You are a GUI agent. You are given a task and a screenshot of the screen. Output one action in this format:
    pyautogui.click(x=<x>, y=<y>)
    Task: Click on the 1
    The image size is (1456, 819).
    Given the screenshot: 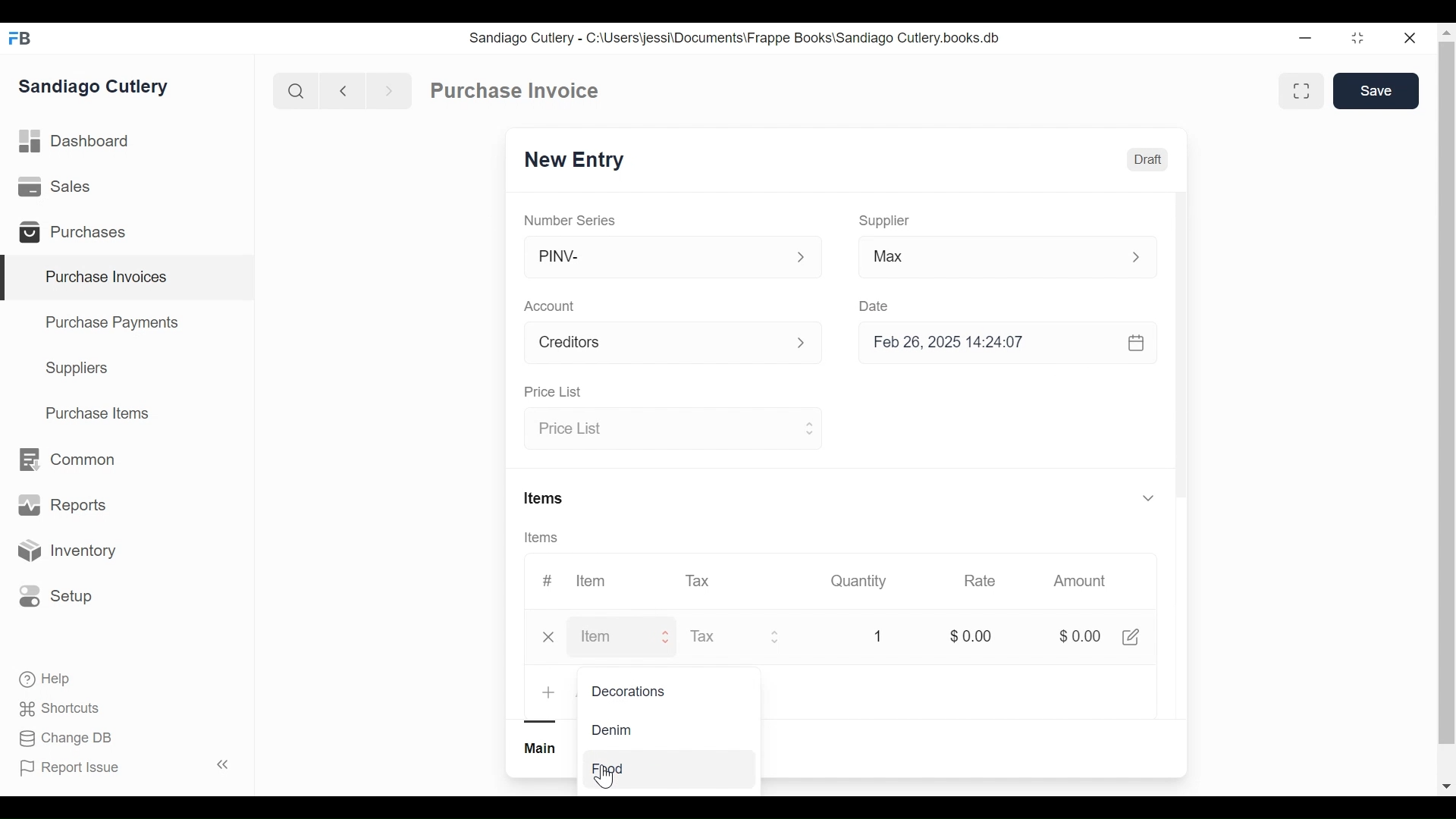 What is the action you would take?
    pyautogui.click(x=878, y=636)
    